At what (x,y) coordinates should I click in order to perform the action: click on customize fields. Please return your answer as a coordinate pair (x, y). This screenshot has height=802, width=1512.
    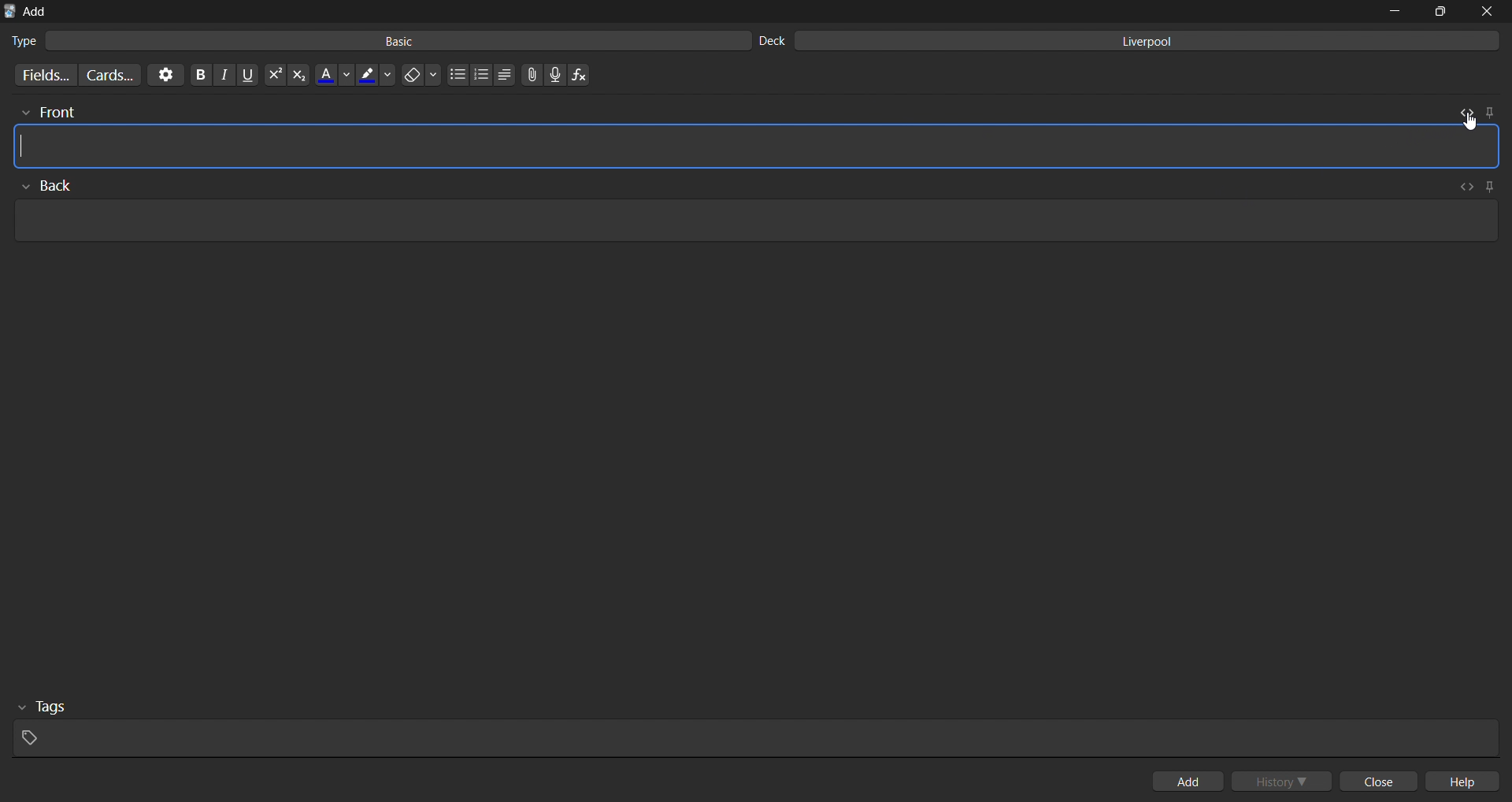
    Looking at the image, I should click on (42, 75).